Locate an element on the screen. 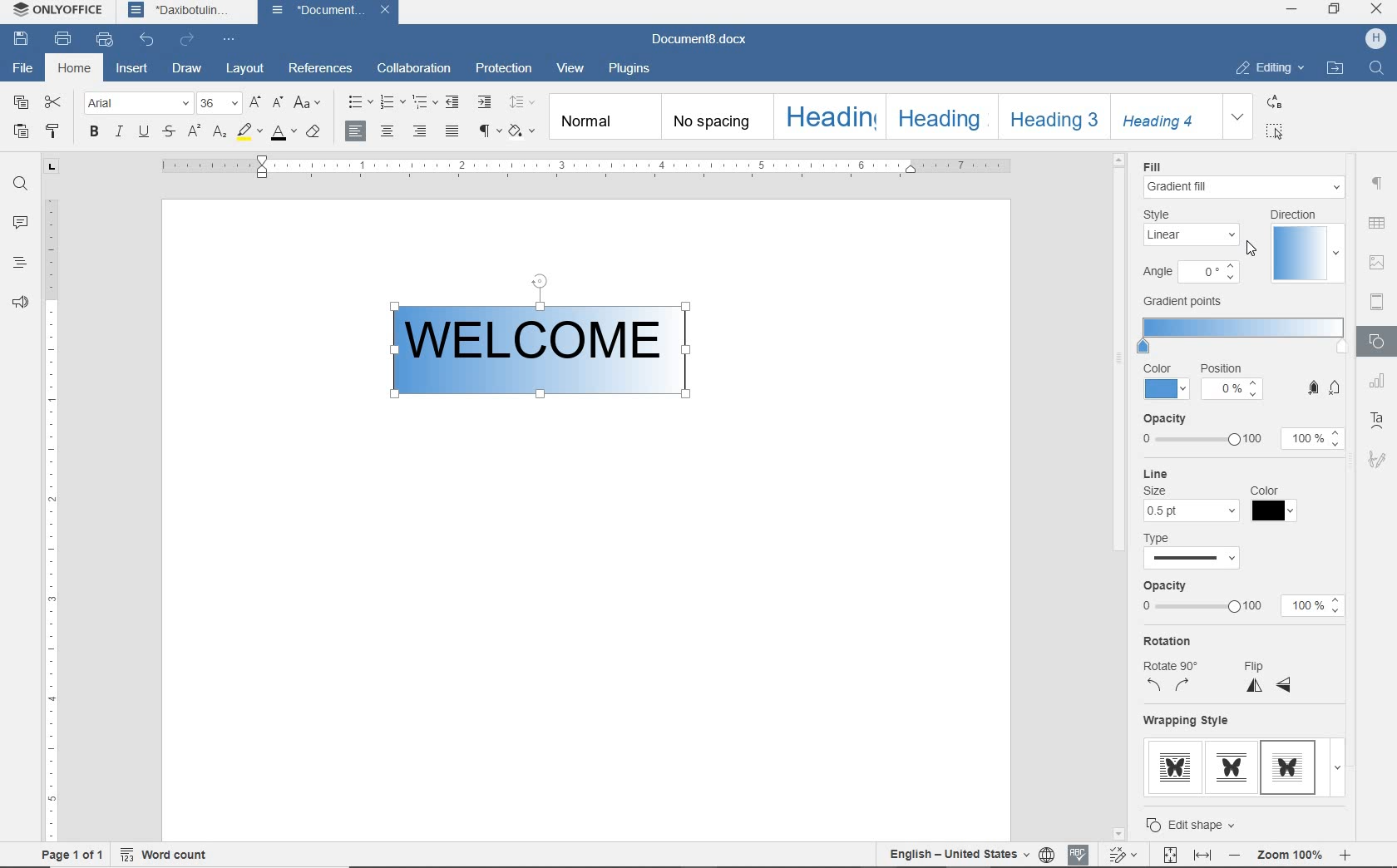 The image size is (1397, 868). INCREASE INDENT is located at coordinates (486, 103).